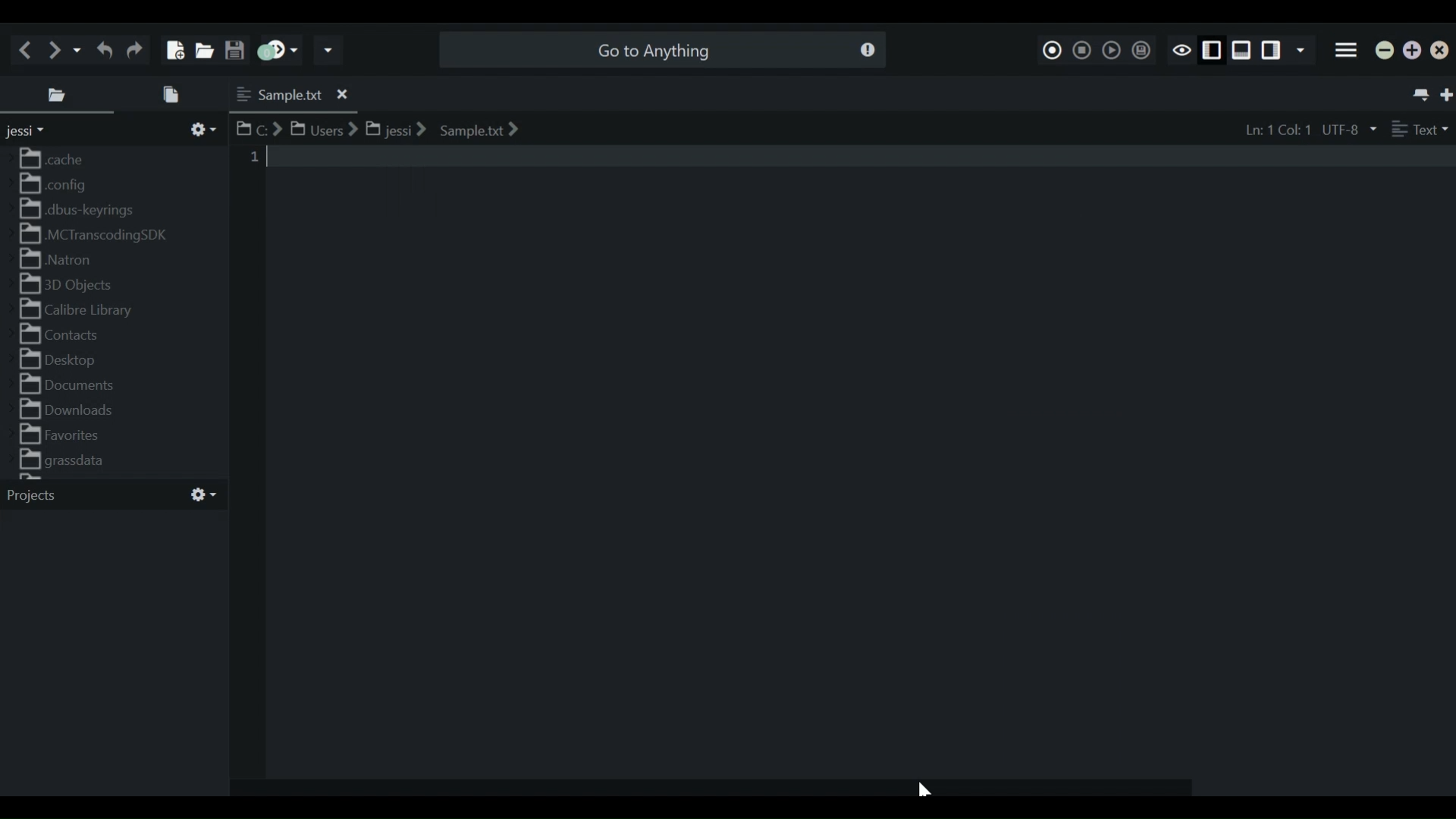 The width and height of the screenshot is (1456, 819). I want to click on New Tab, so click(1444, 94).